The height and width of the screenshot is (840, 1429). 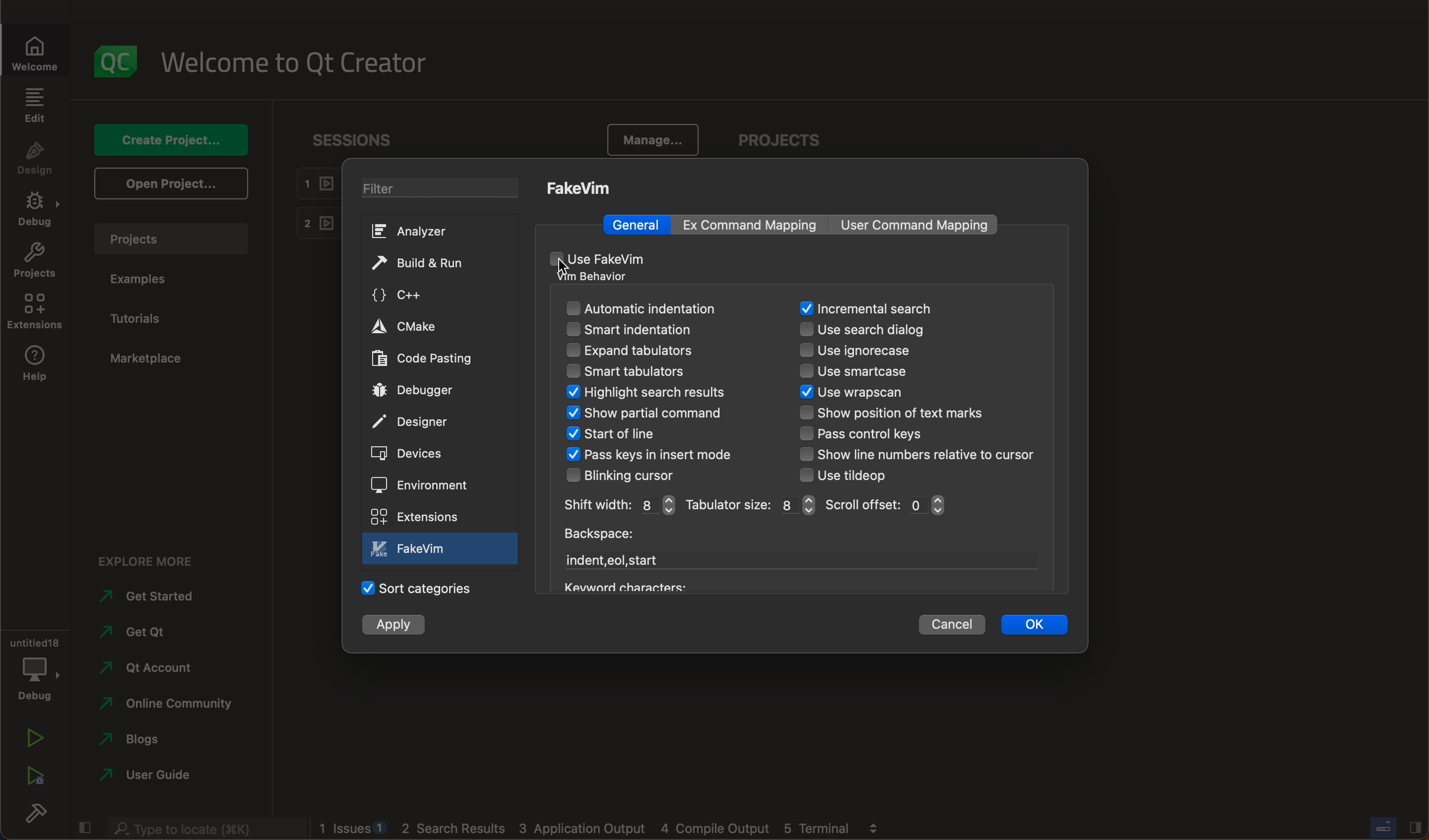 I want to click on edit, so click(x=36, y=105).